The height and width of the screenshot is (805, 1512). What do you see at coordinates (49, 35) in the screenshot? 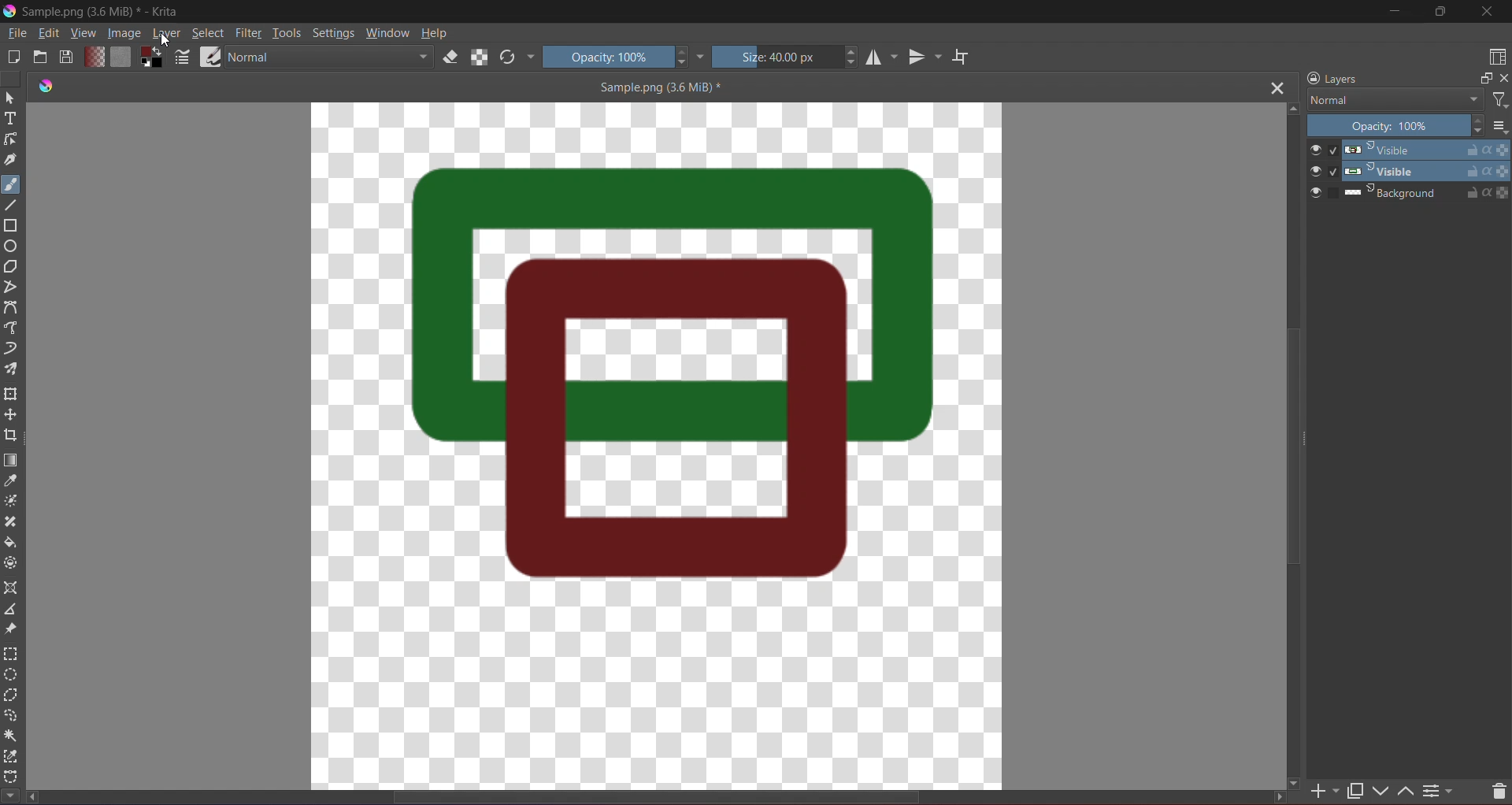
I see `Edit` at bounding box center [49, 35].